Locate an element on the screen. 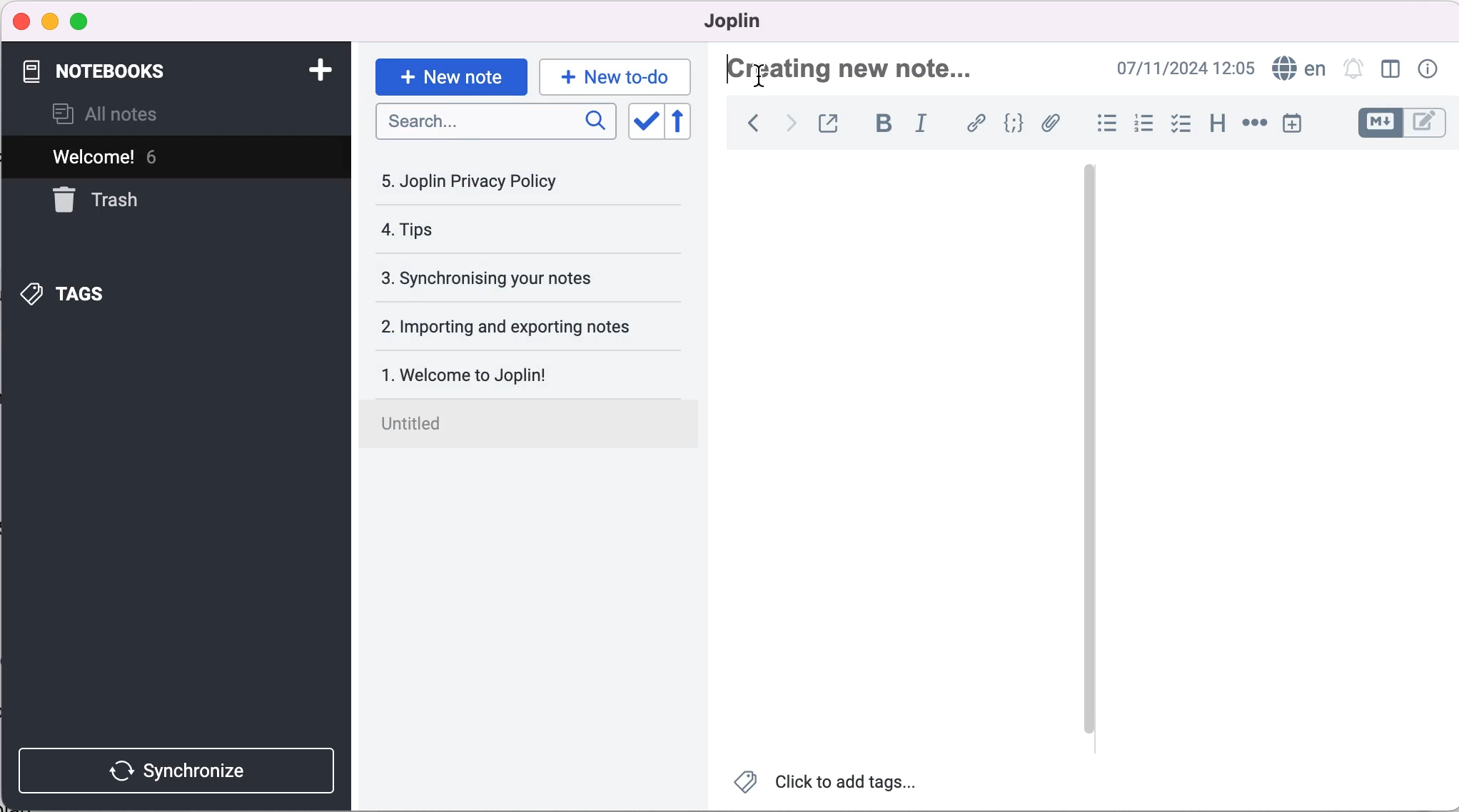 This screenshot has height=812, width=1459. code is located at coordinates (1009, 124).